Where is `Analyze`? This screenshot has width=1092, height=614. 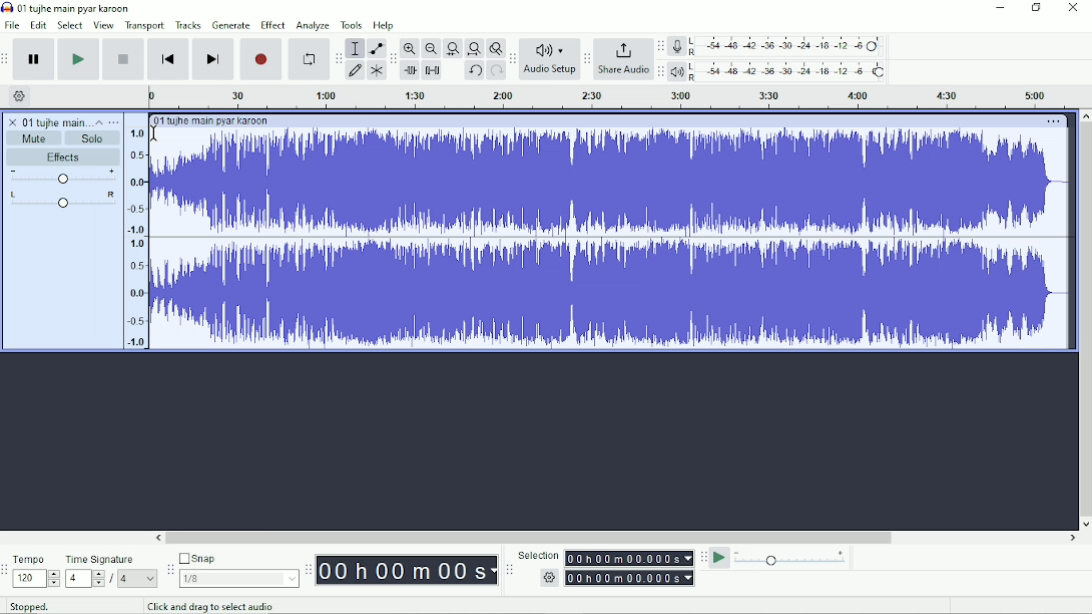
Analyze is located at coordinates (313, 25).